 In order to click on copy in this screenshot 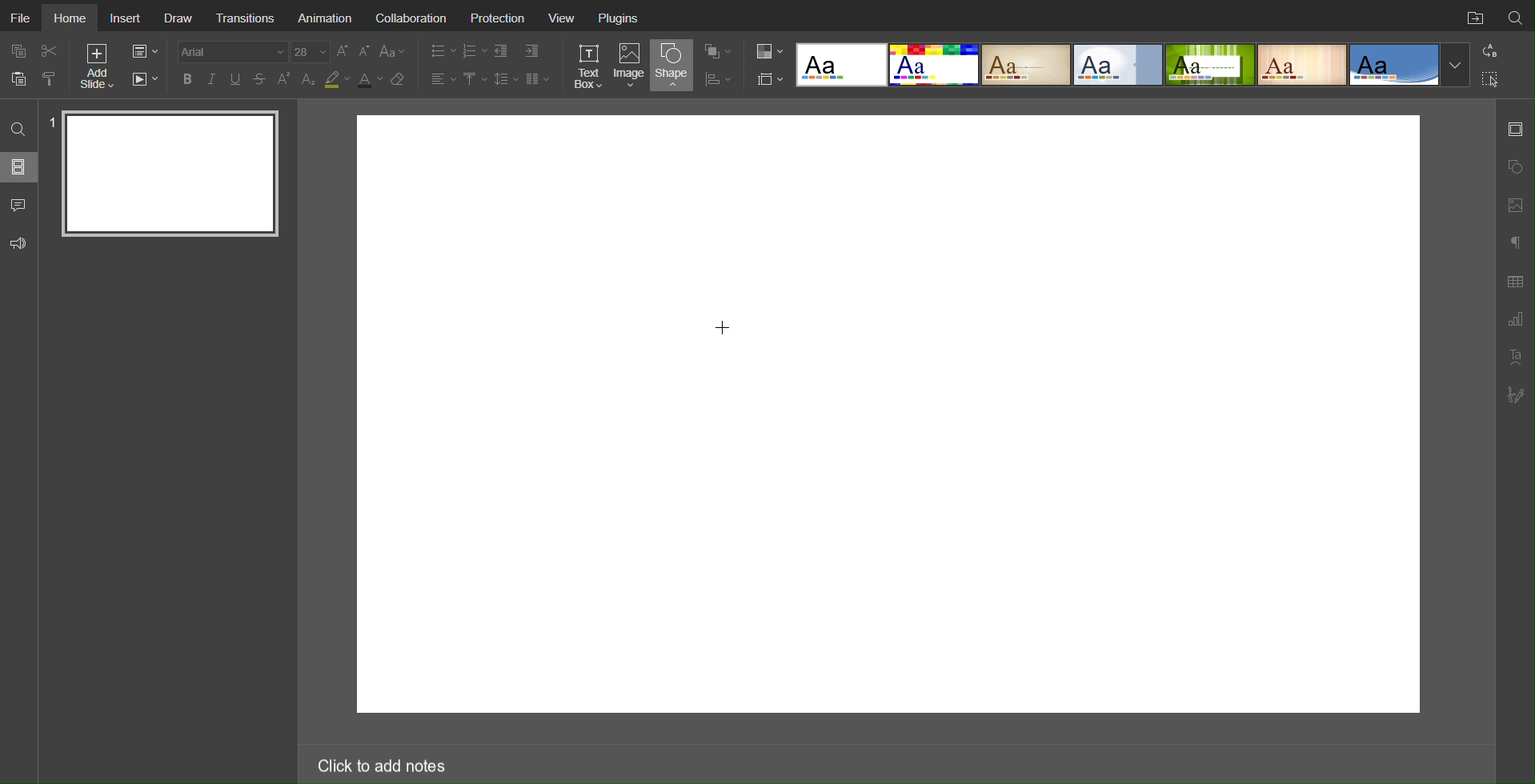, I will do `click(22, 53)`.